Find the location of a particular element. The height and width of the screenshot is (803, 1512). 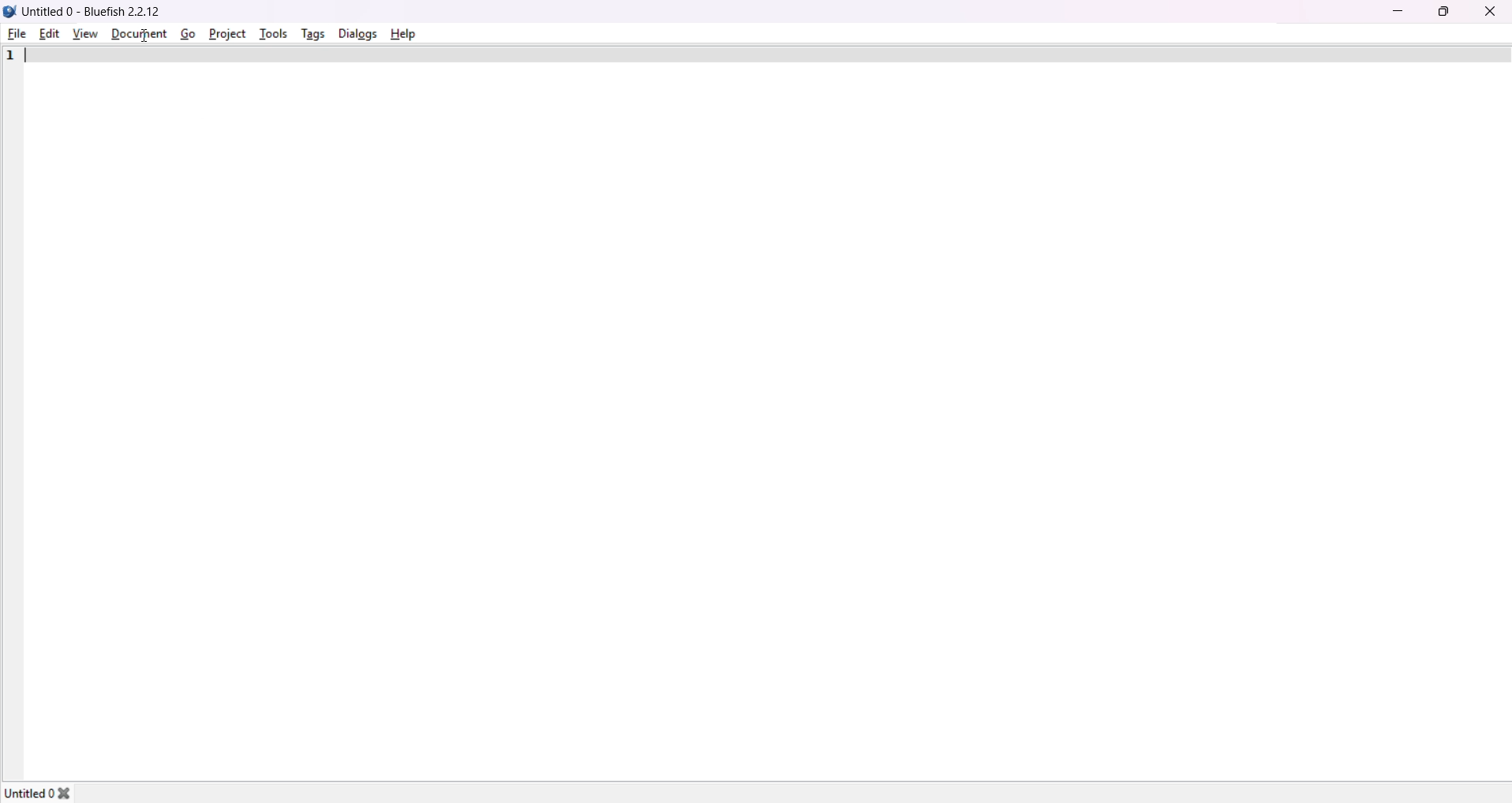

line number is located at coordinates (10, 57).